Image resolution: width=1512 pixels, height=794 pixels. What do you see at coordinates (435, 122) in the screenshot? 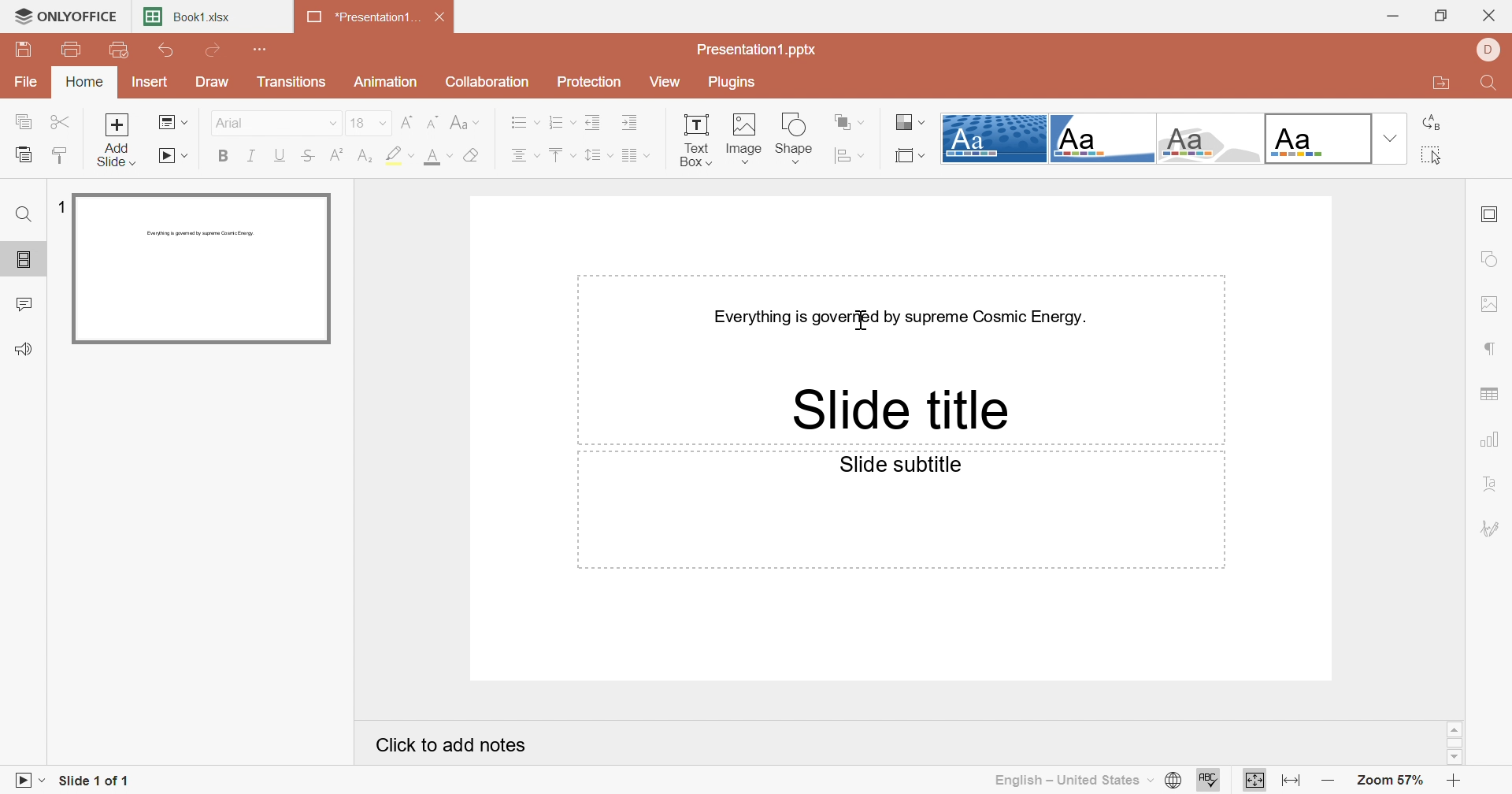
I see `Decrement font size` at bounding box center [435, 122].